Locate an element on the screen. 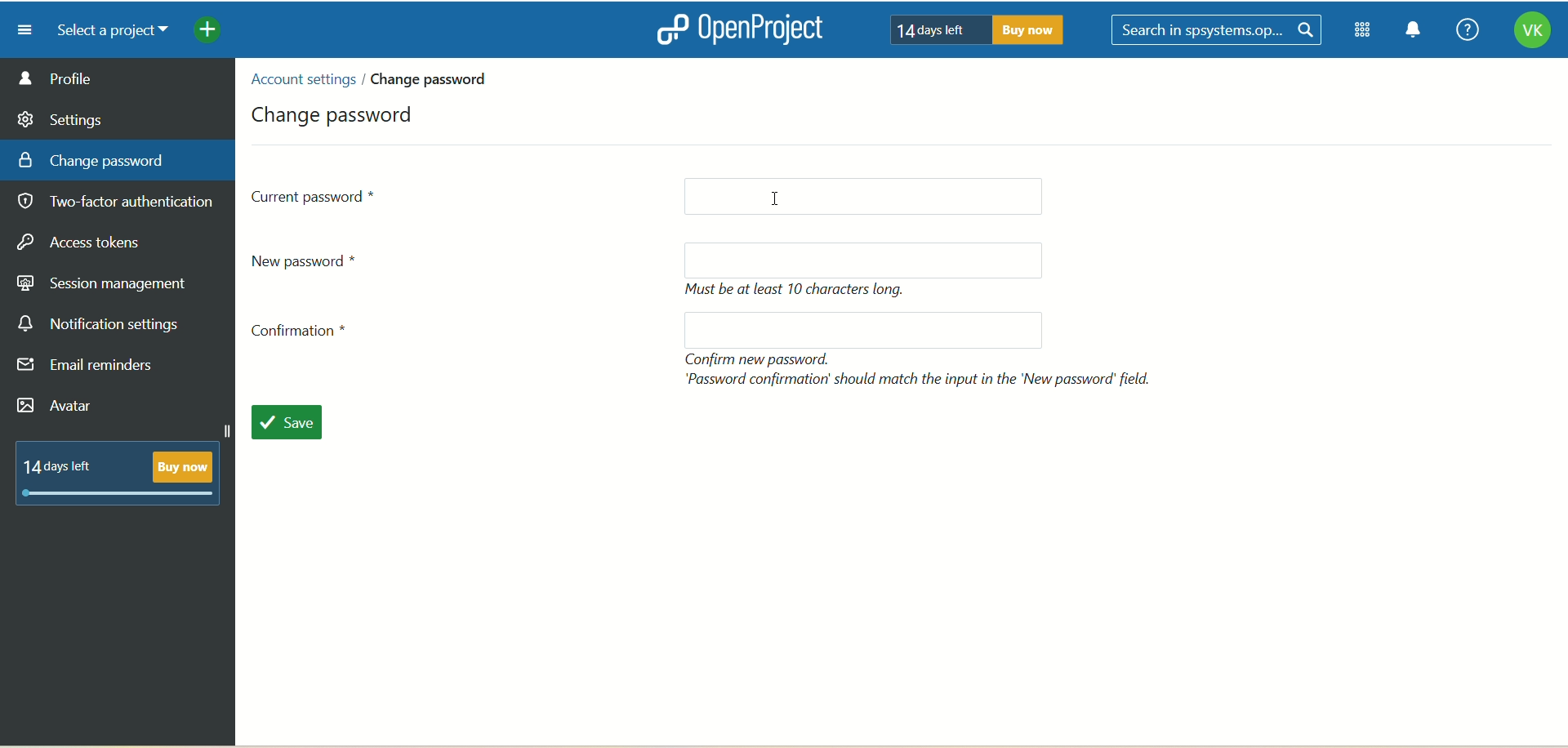 The image size is (1568, 748). change password is located at coordinates (91, 159).